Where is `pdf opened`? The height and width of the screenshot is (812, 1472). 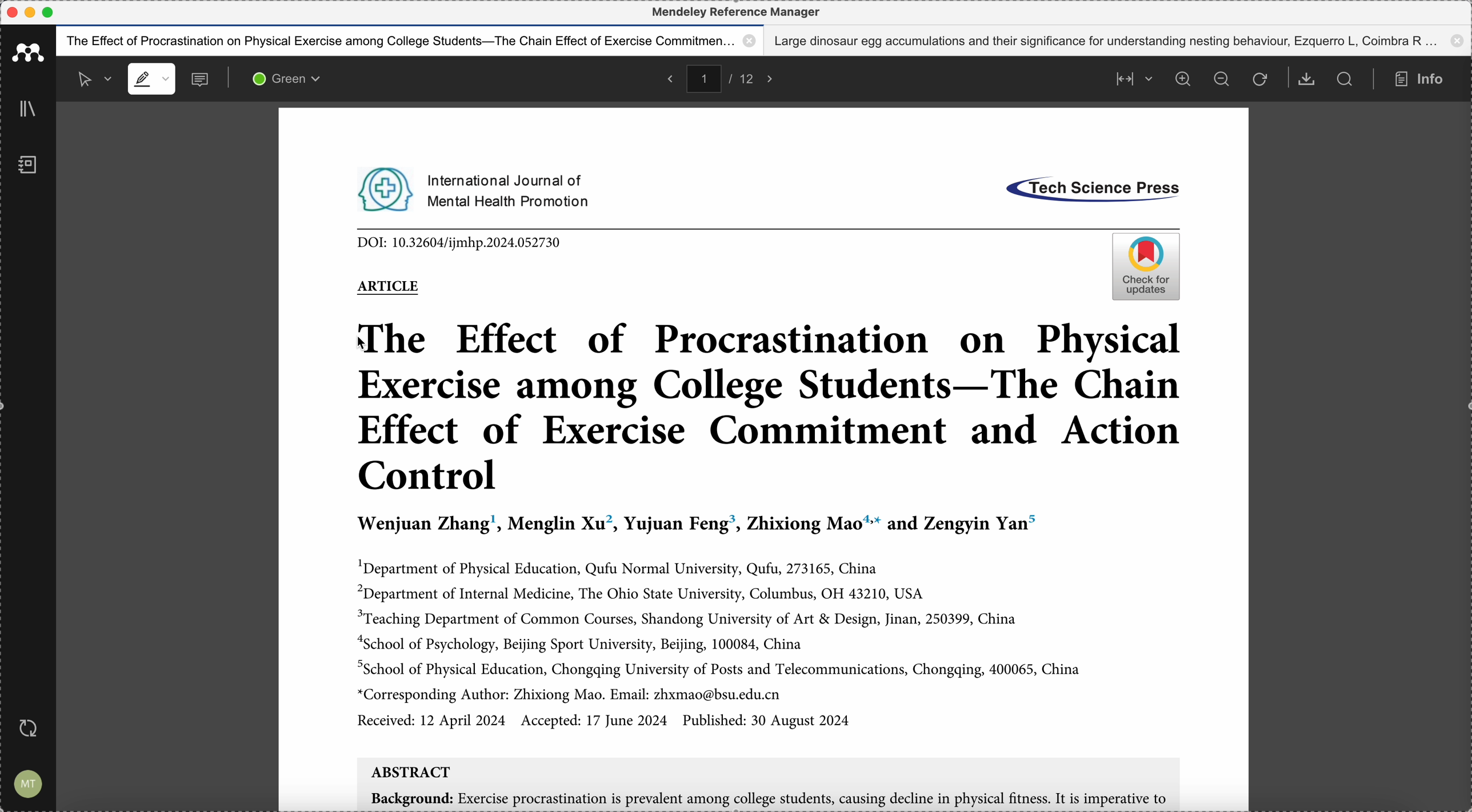 pdf opened is located at coordinates (763, 459).